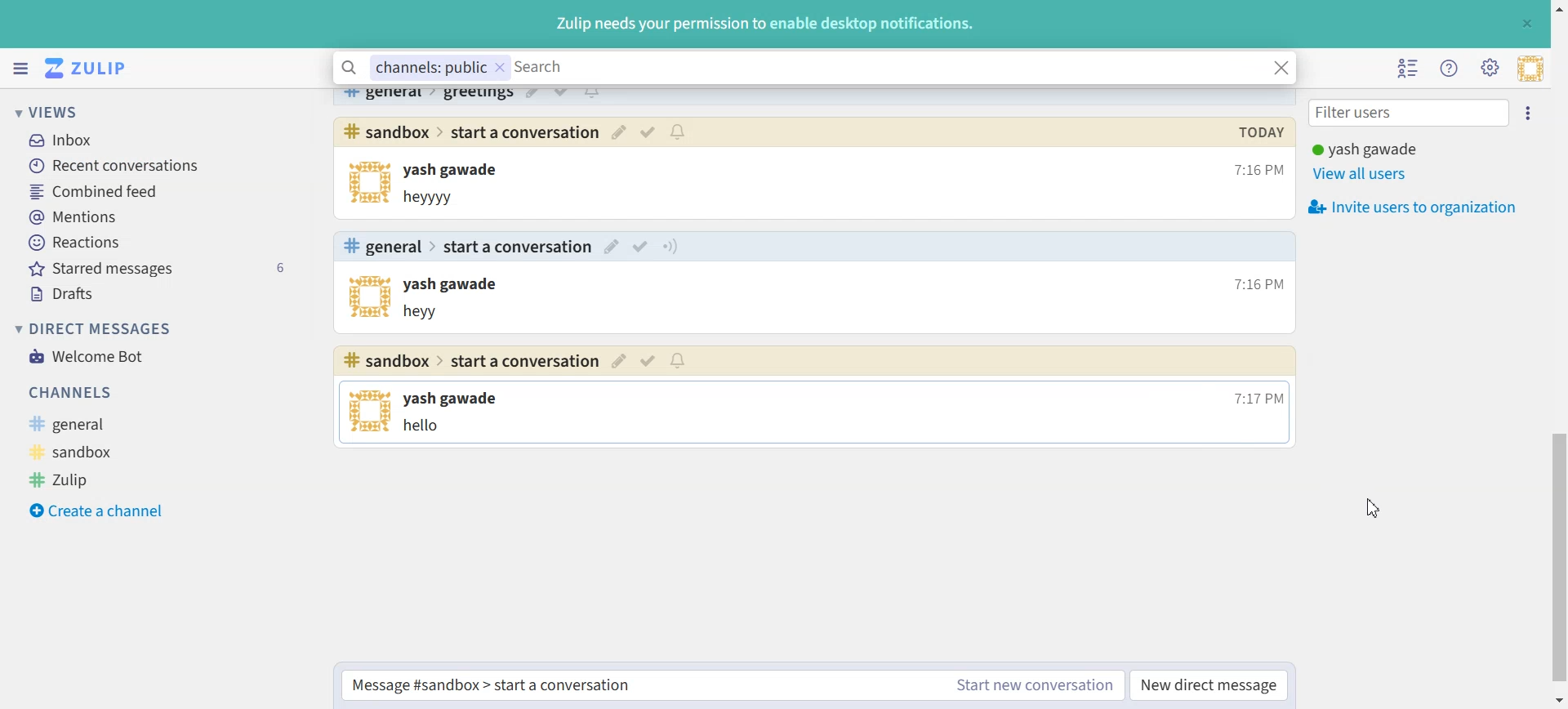 The height and width of the screenshot is (709, 1568). What do you see at coordinates (1526, 23) in the screenshot?
I see `Close` at bounding box center [1526, 23].